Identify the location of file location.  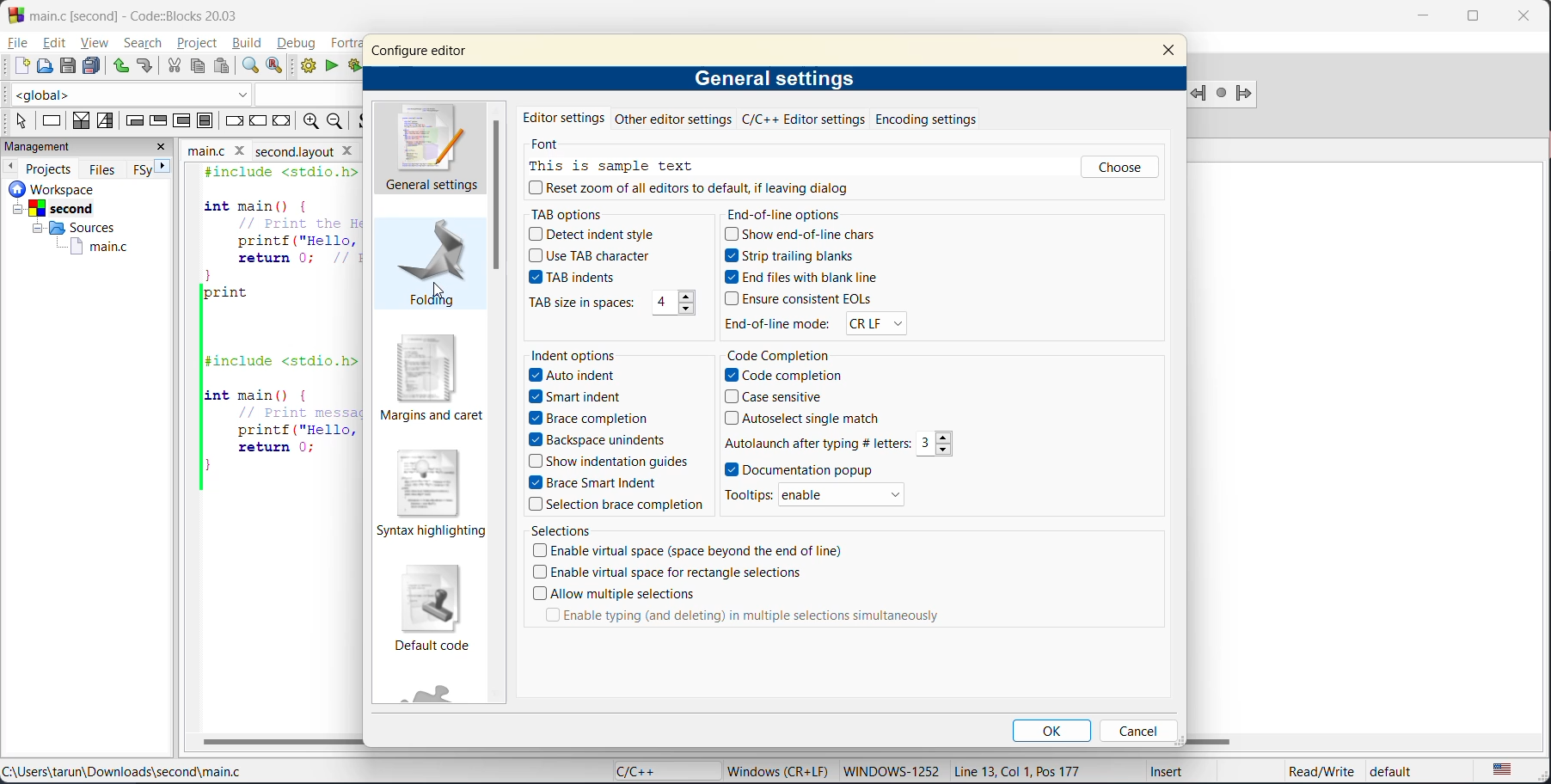
(124, 774).